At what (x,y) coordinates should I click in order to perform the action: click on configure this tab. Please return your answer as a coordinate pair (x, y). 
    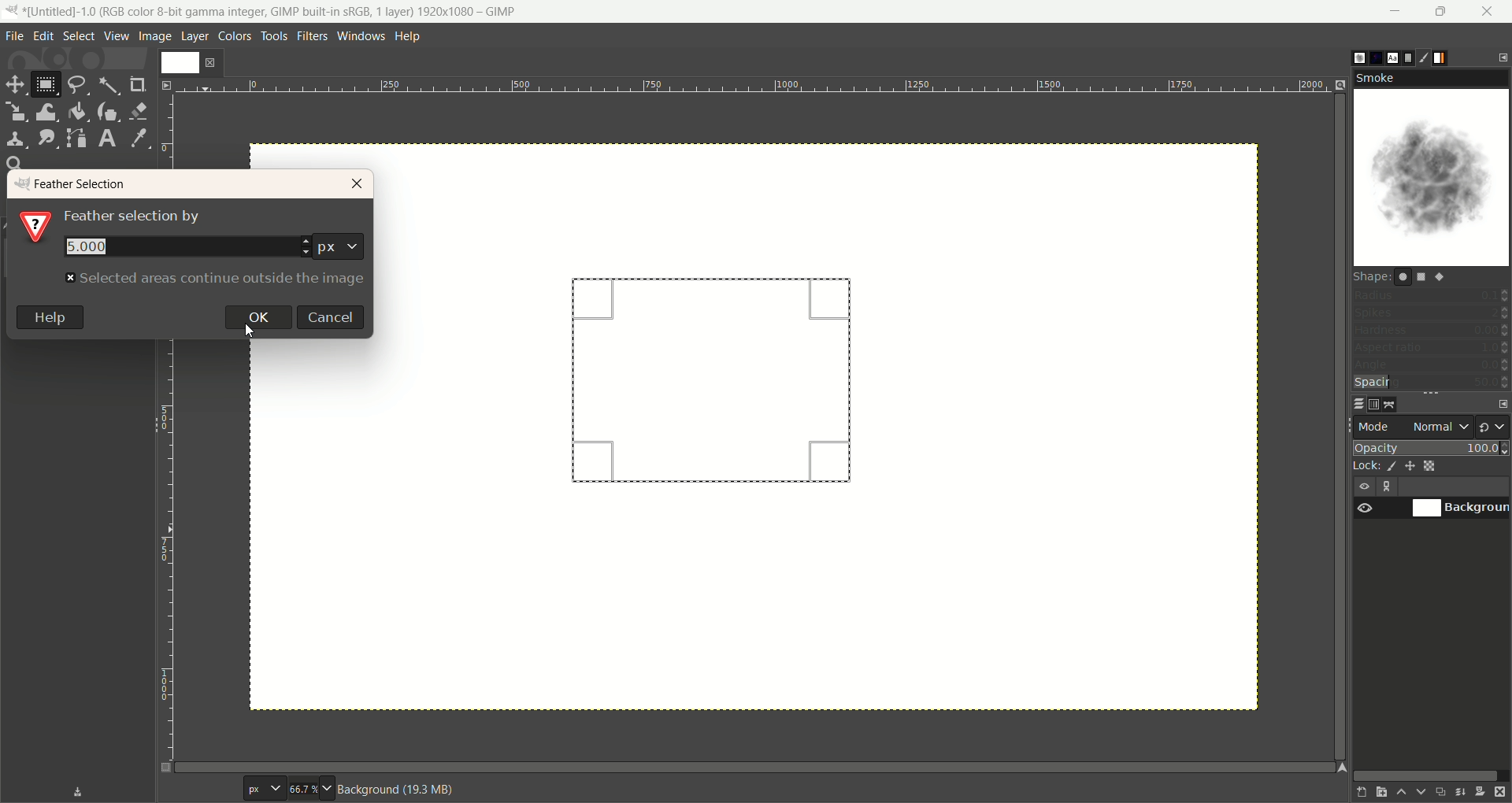
    Looking at the image, I should click on (1501, 57).